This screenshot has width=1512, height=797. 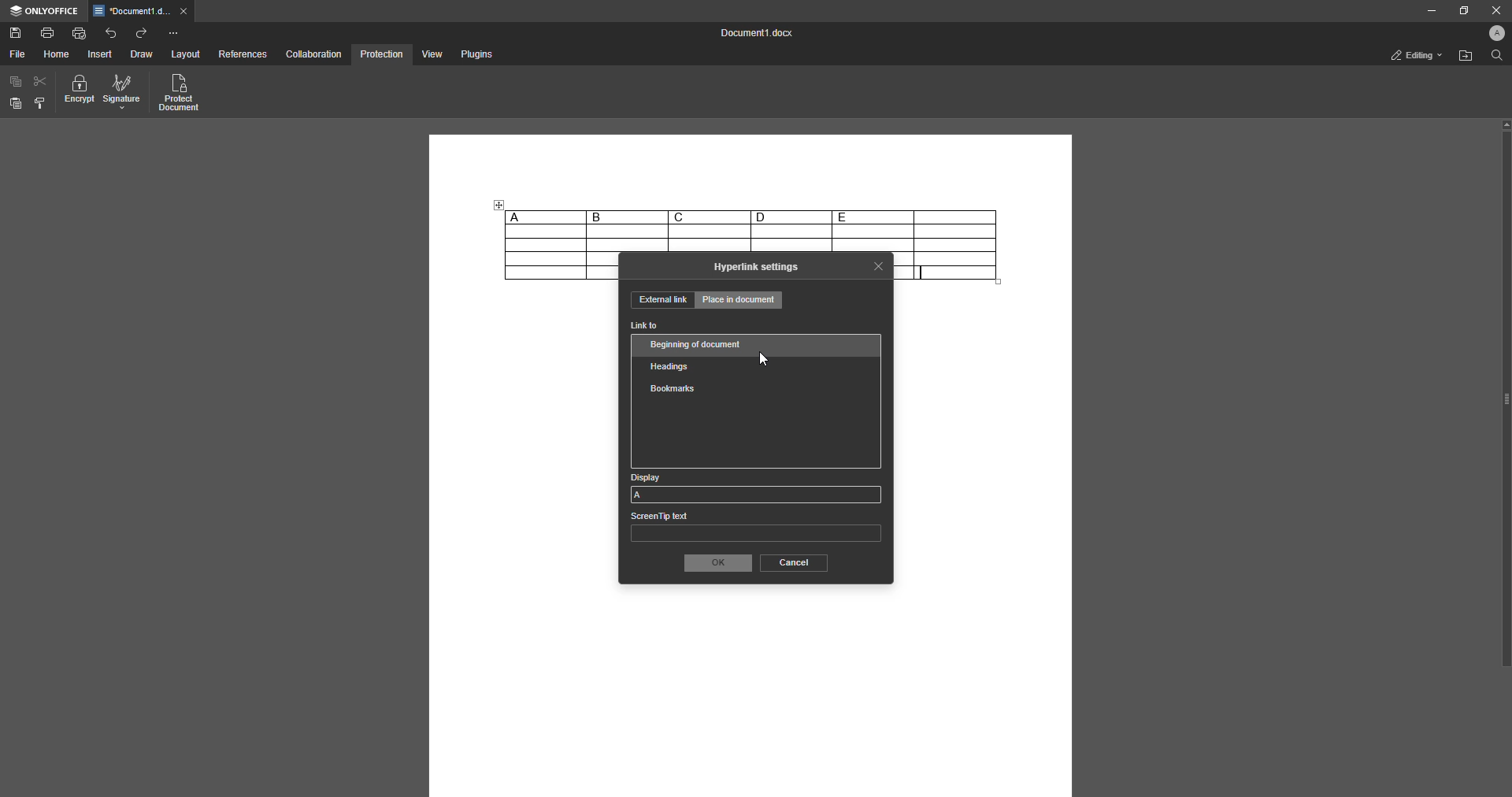 I want to click on Headings, so click(x=673, y=365).